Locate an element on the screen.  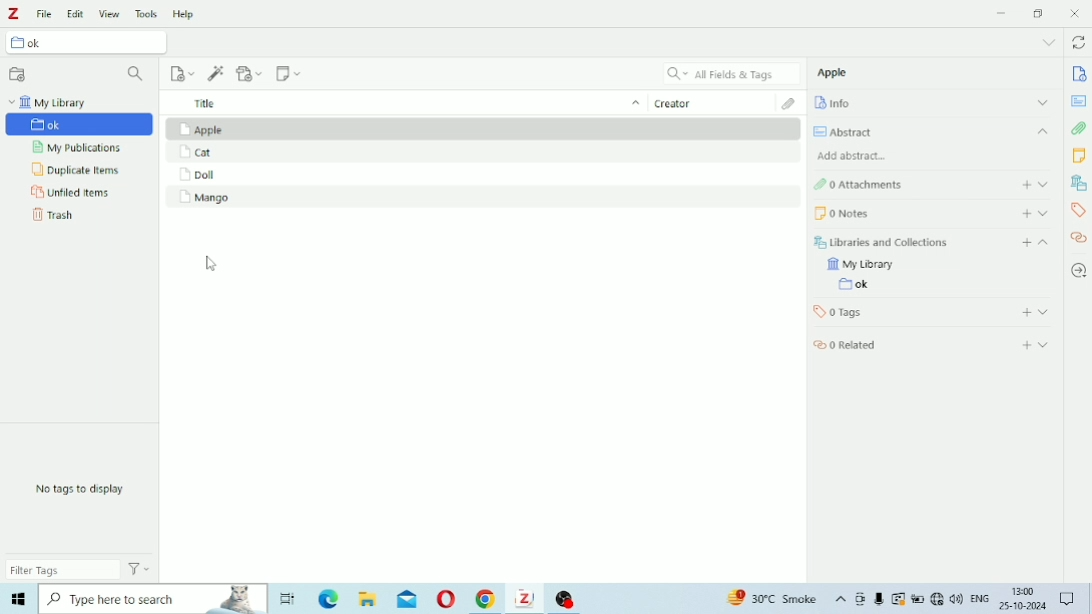
Expand section is located at coordinates (1044, 213).